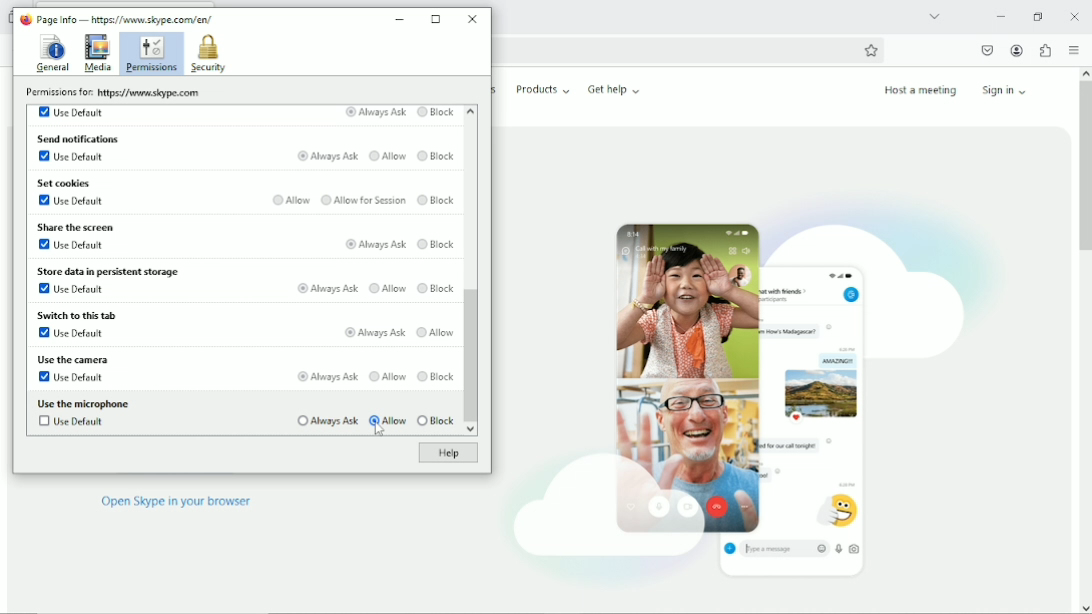 The image size is (1092, 614). What do you see at coordinates (66, 183) in the screenshot?
I see `Set cookies` at bounding box center [66, 183].